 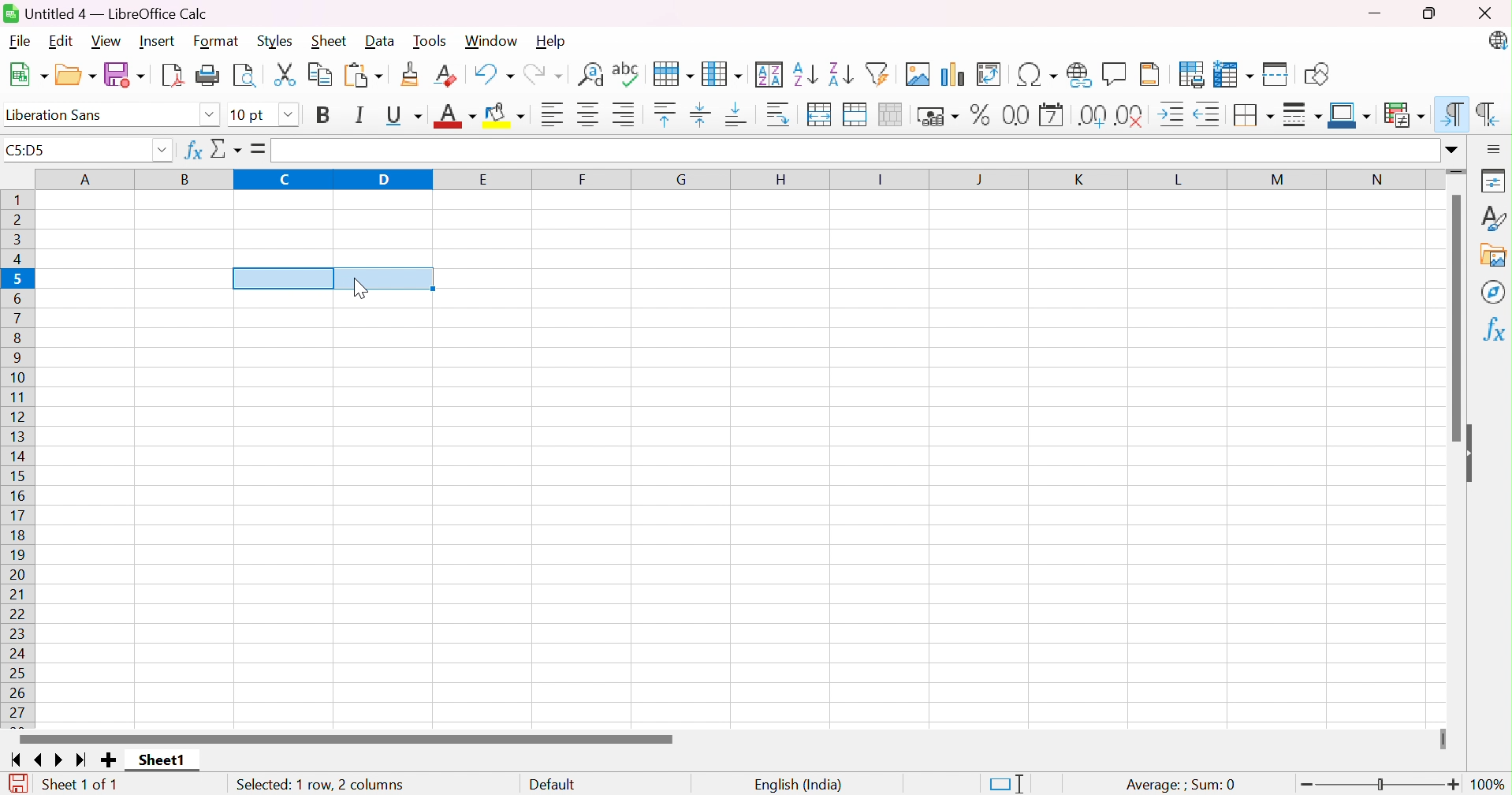 What do you see at coordinates (174, 74) in the screenshot?
I see `Export as PDF` at bounding box center [174, 74].